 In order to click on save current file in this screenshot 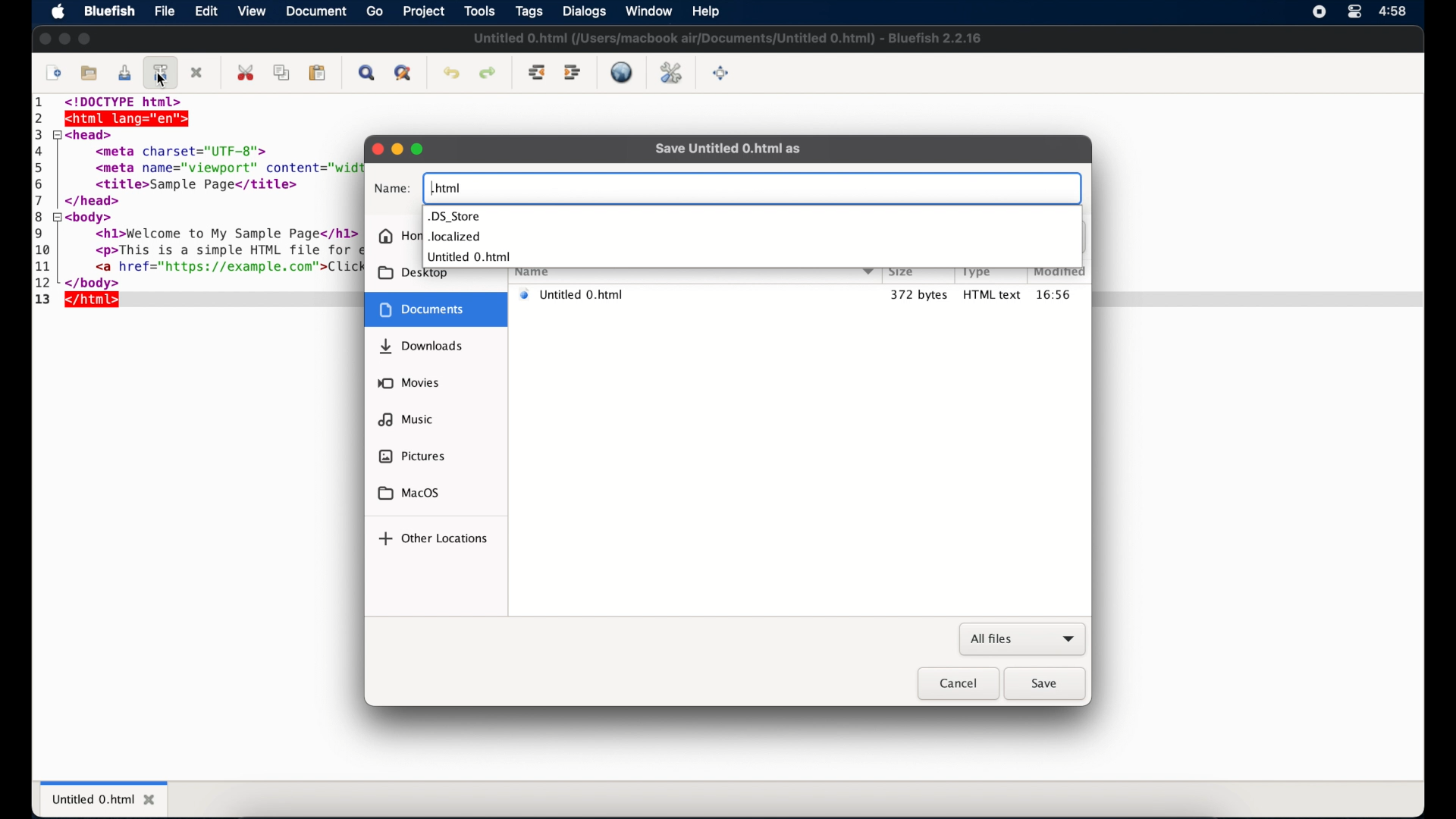, I will do `click(124, 73)`.